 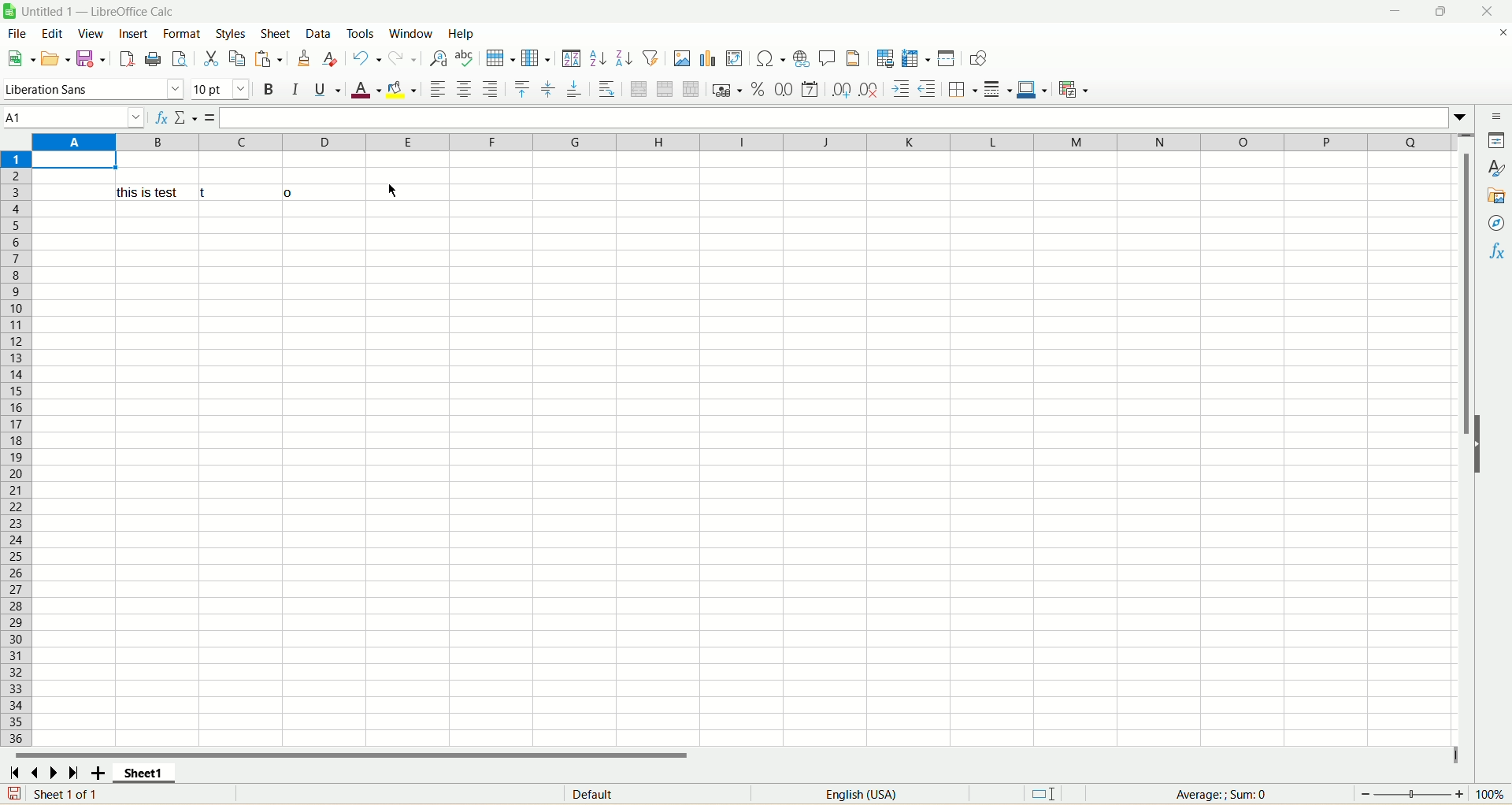 I want to click on border color, so click(x=1031, y=89).